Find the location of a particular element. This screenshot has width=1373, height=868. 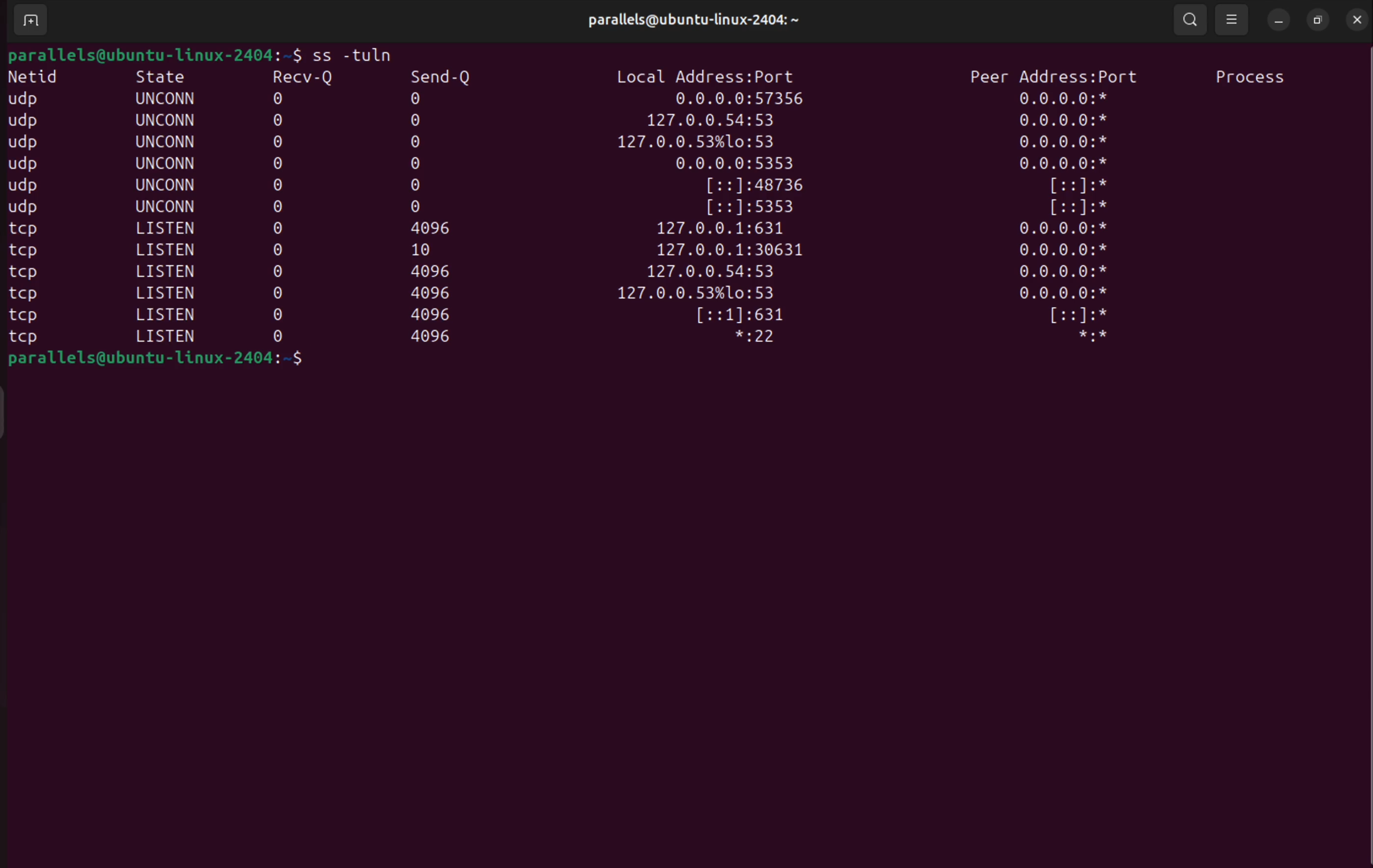

120.0.0.0 is located at coordinates (742, 252).